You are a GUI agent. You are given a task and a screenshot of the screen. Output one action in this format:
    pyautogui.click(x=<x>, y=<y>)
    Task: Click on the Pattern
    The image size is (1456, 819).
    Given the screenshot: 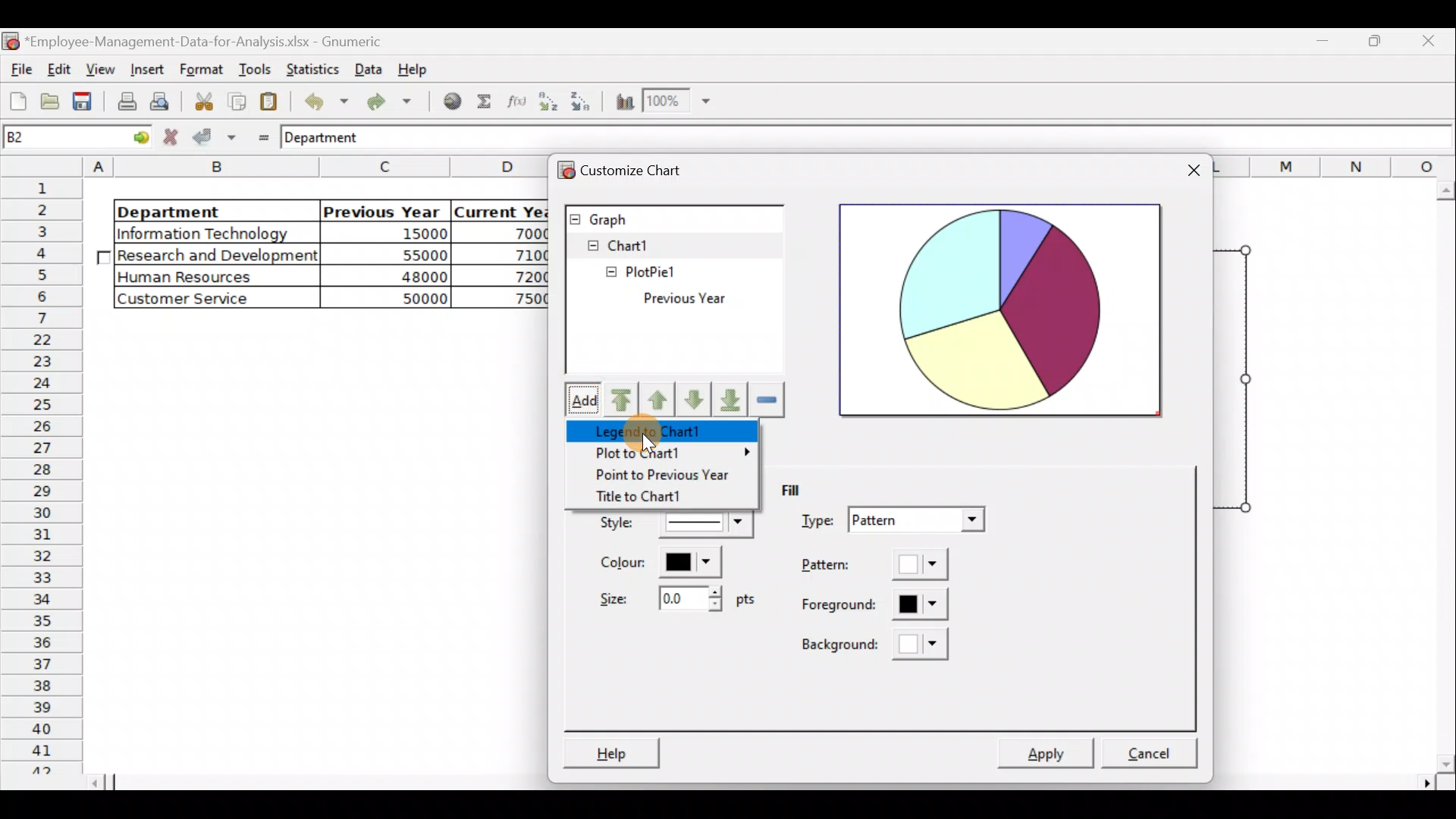 What is the action you would take?
    pyautogui.click(x=875, y=567)
    